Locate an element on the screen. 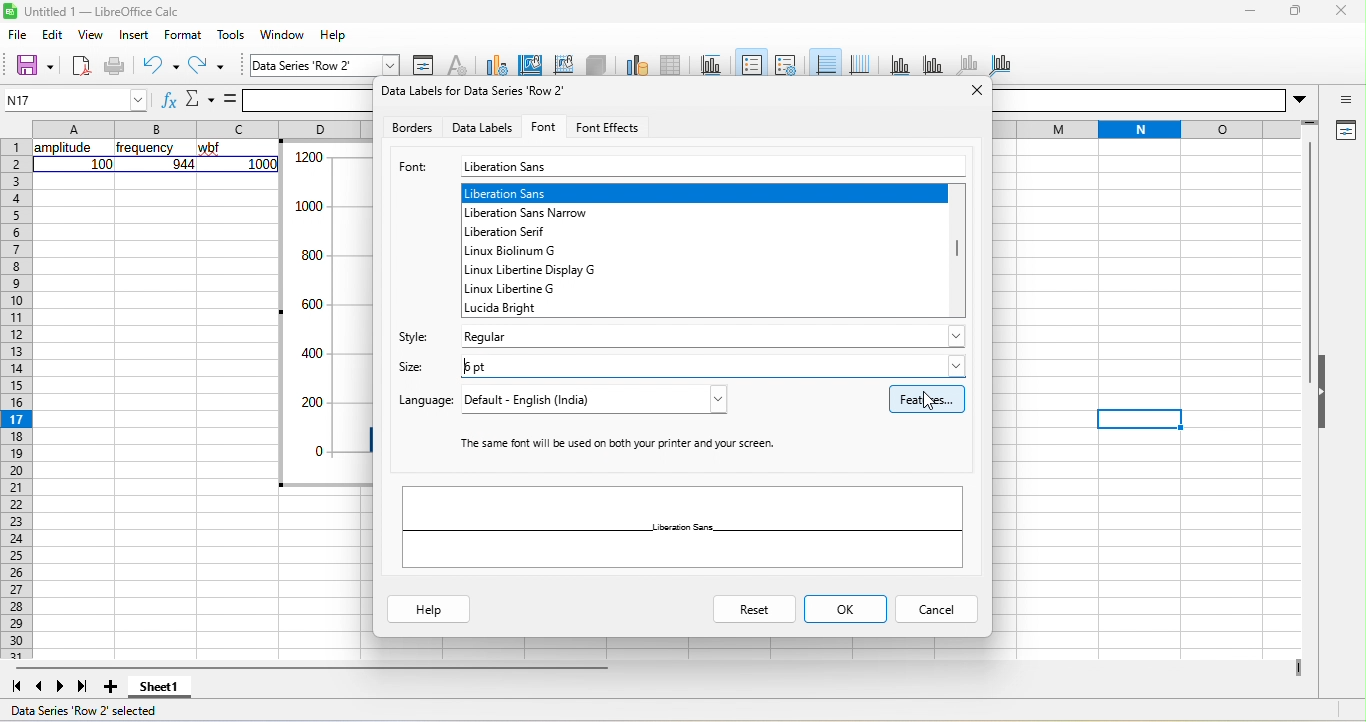 This screenshot has width=1366, height=722. N17 is located at coordinates (73, 98).